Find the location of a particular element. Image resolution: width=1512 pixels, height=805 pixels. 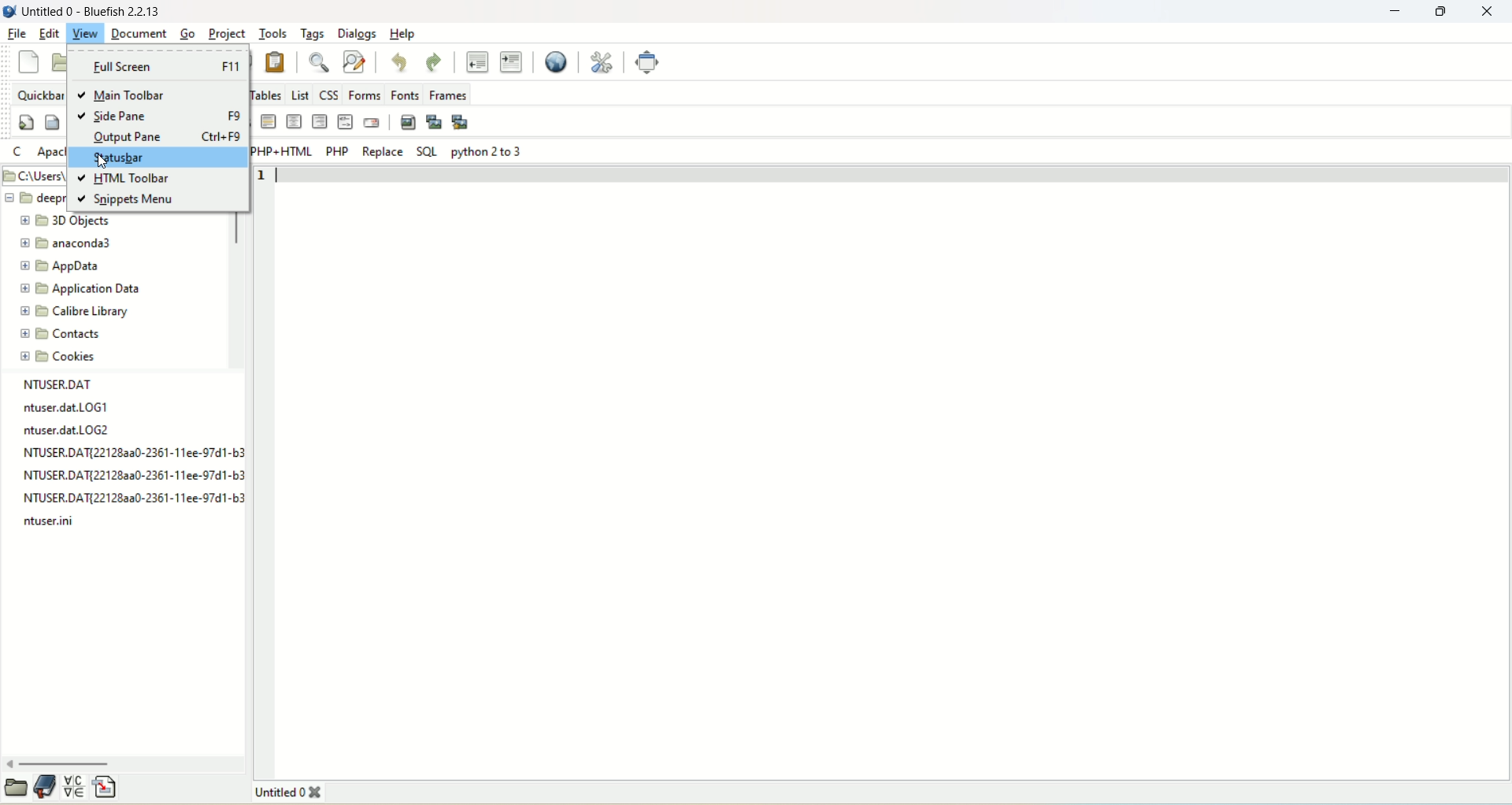

application is located at coordinates (80, 288).